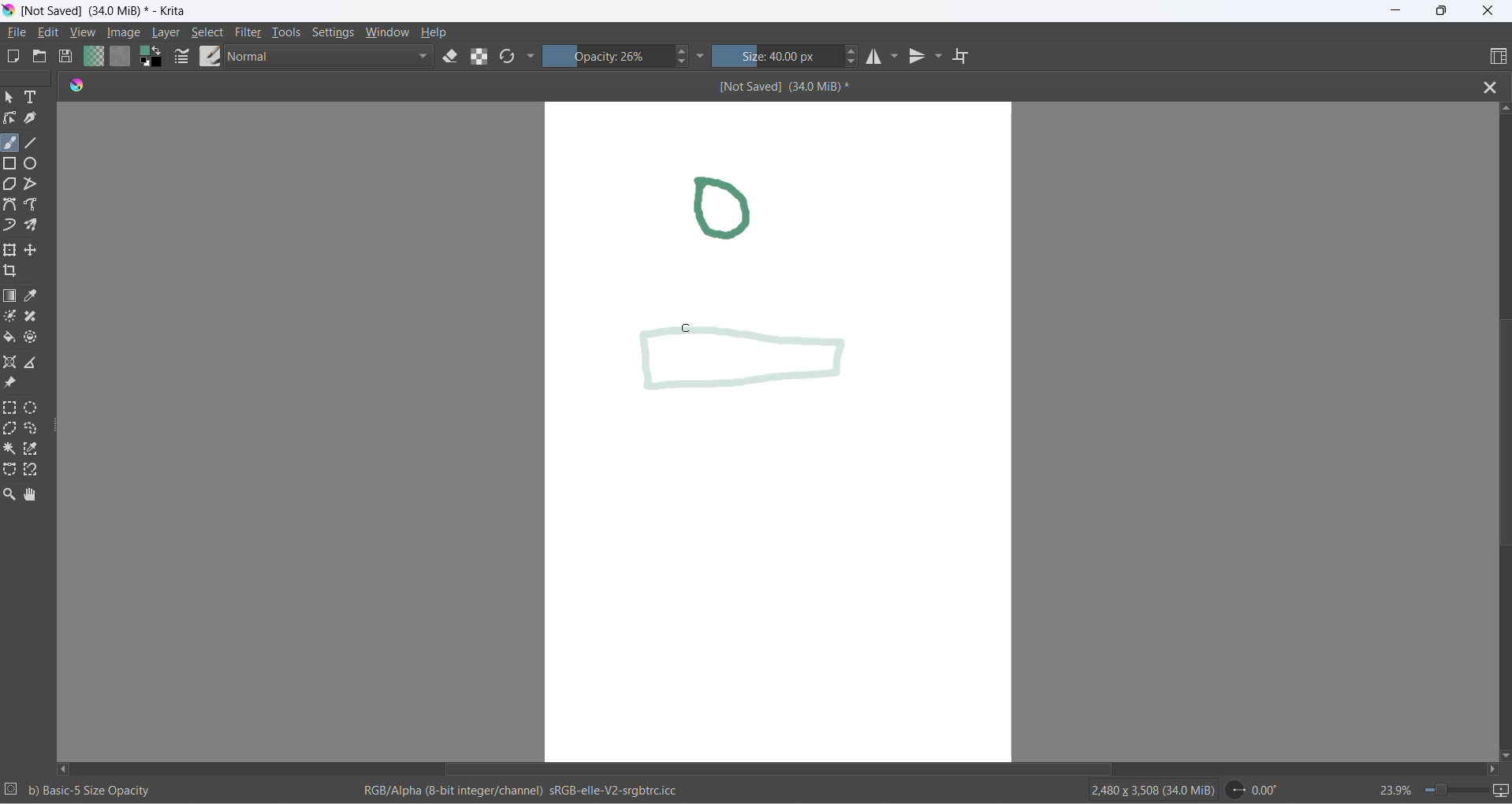 The image size is (1512, 804). Describe the element at coordinates (12, 251) in the screenshot. I see `transform a layer` at that location.